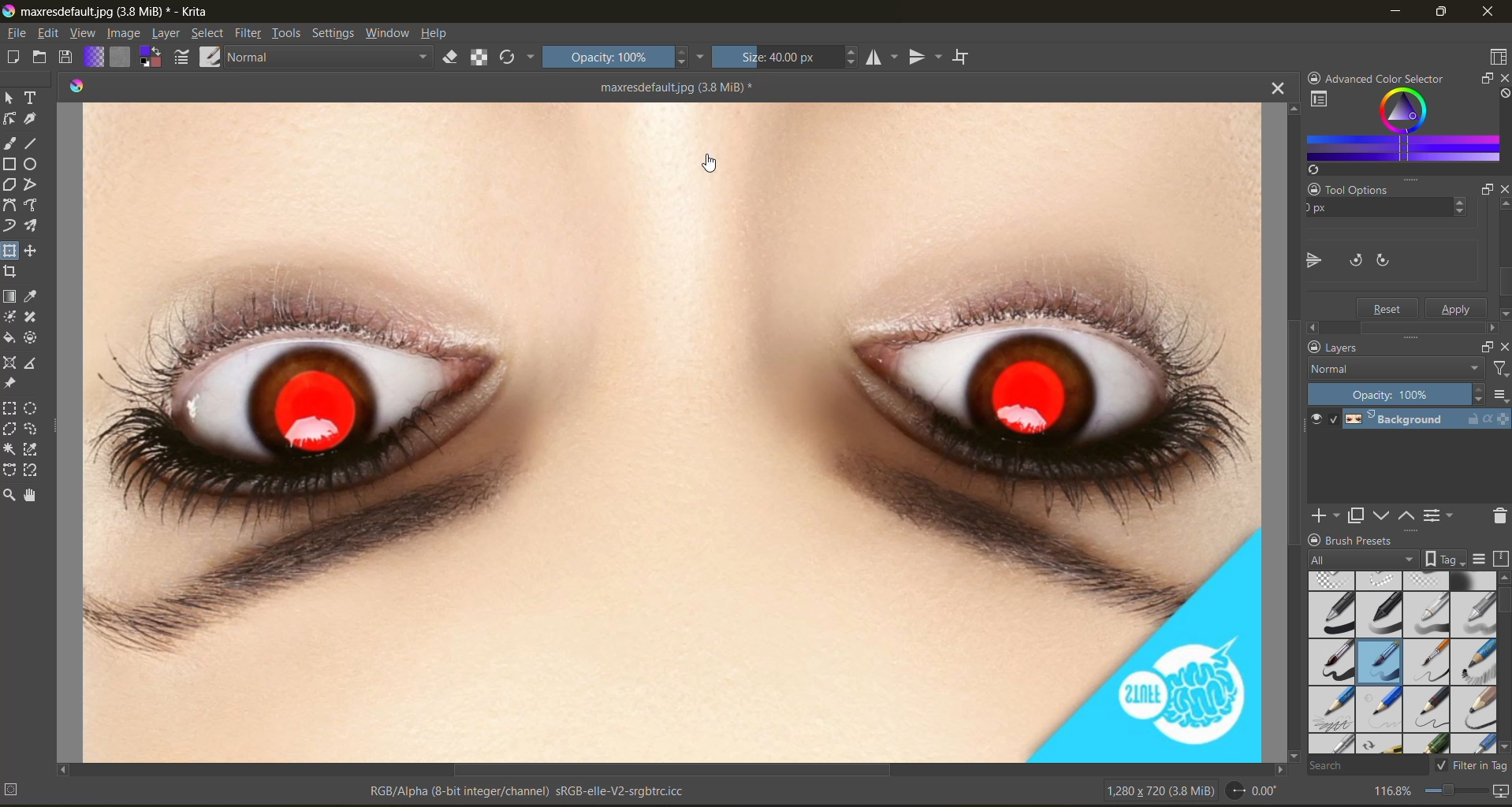 This screenshot has height=807, width=1512. Describe the element at coordinates (1499, 189) in the screenshot. I see `close docker` at that location.